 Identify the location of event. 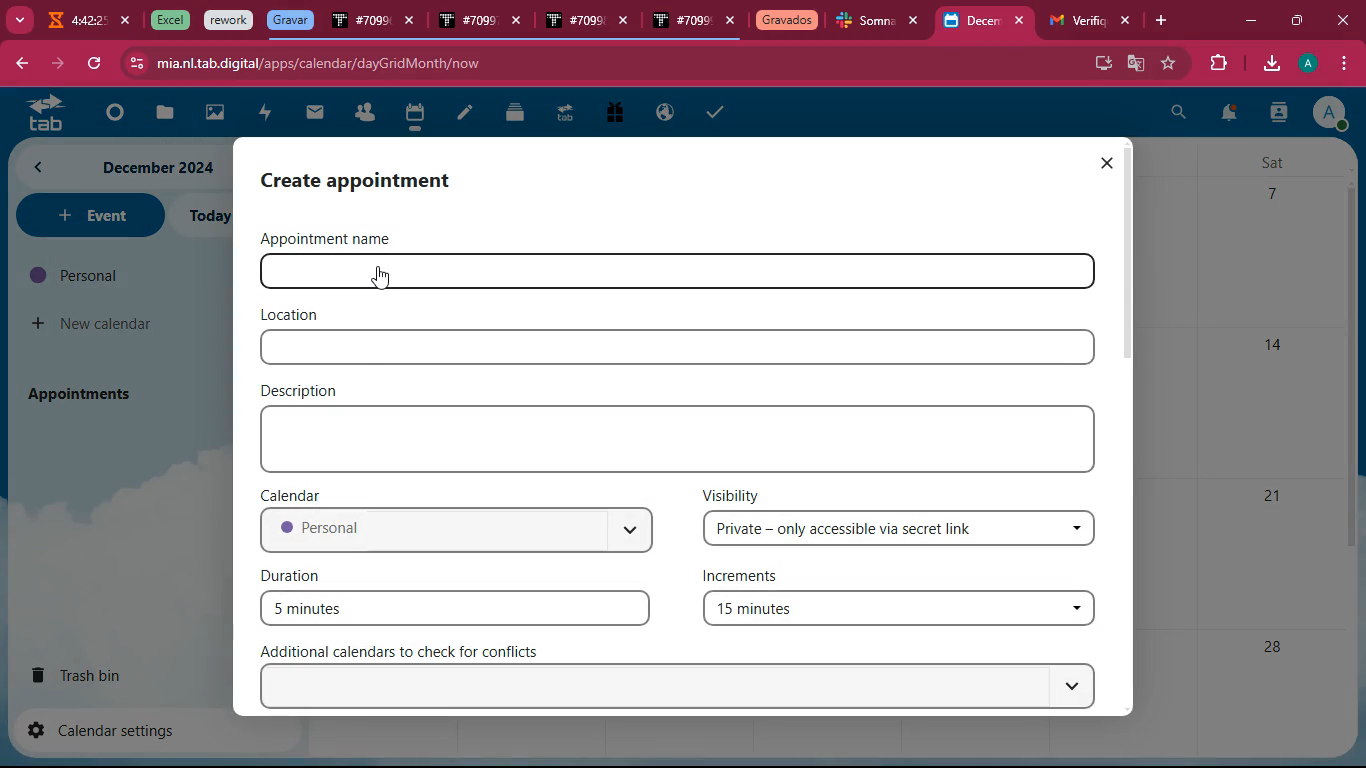
(88, 215).